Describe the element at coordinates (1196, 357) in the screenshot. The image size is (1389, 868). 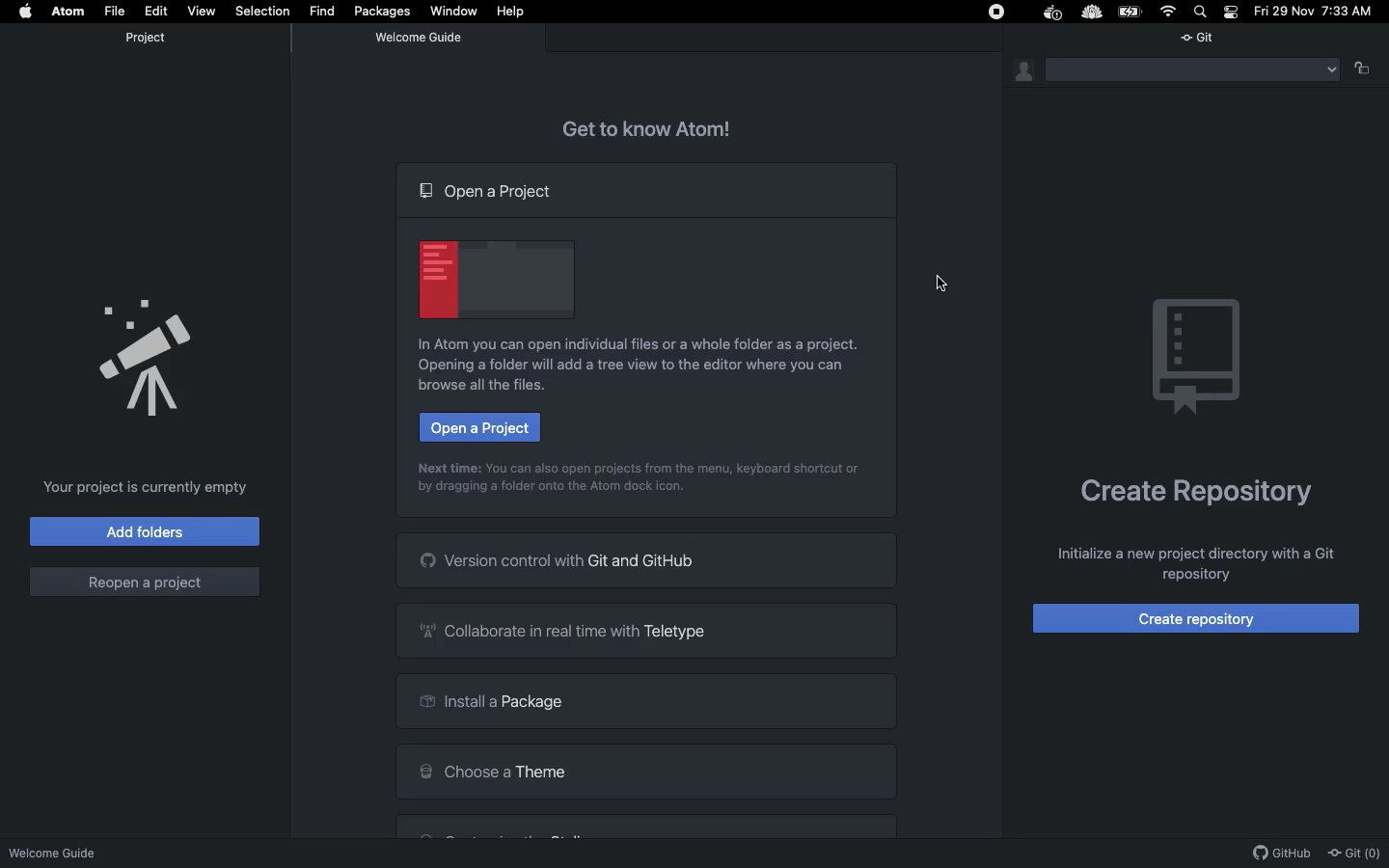
I see `Emblem` at that location.